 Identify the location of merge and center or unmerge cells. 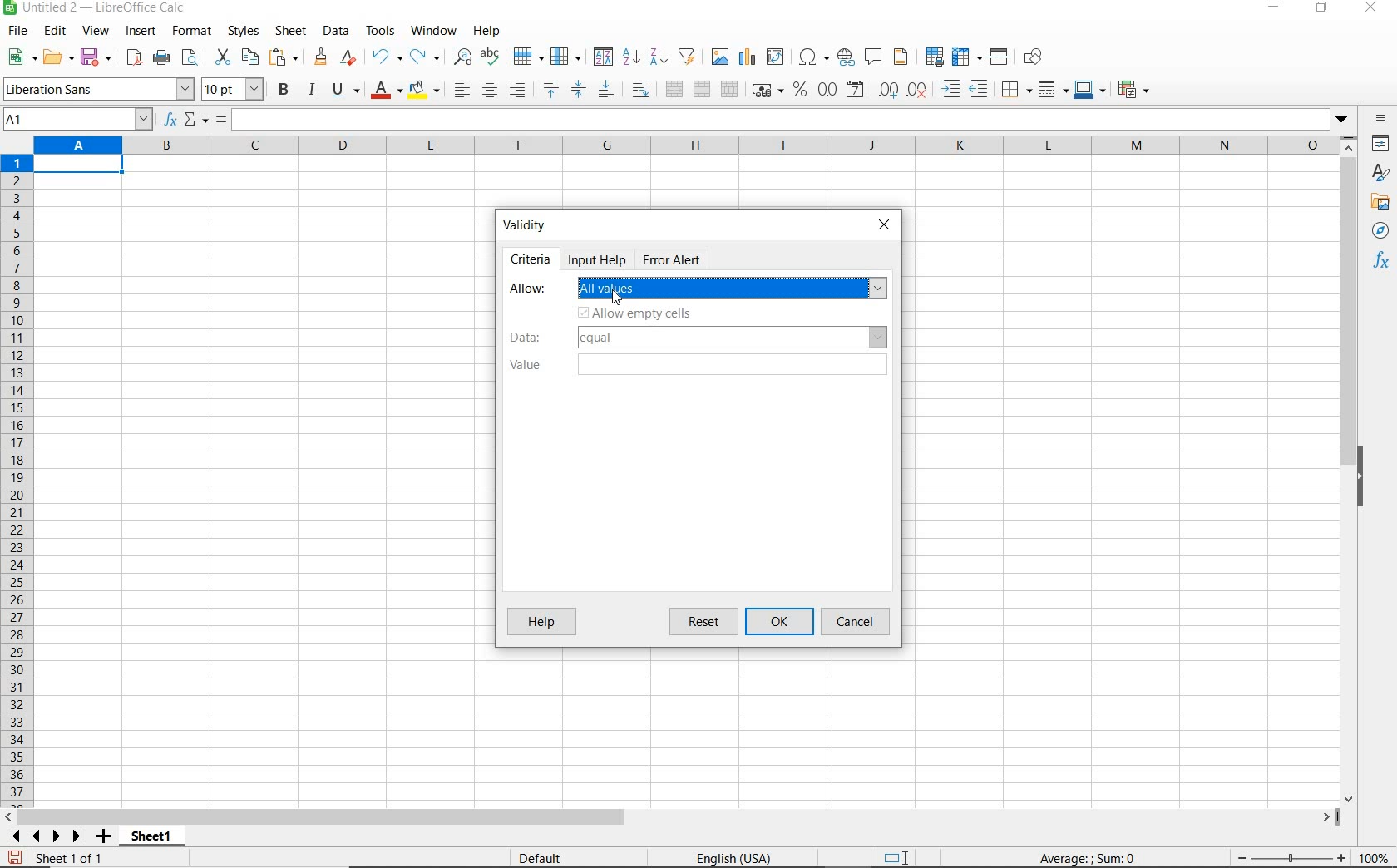
(674, 90).